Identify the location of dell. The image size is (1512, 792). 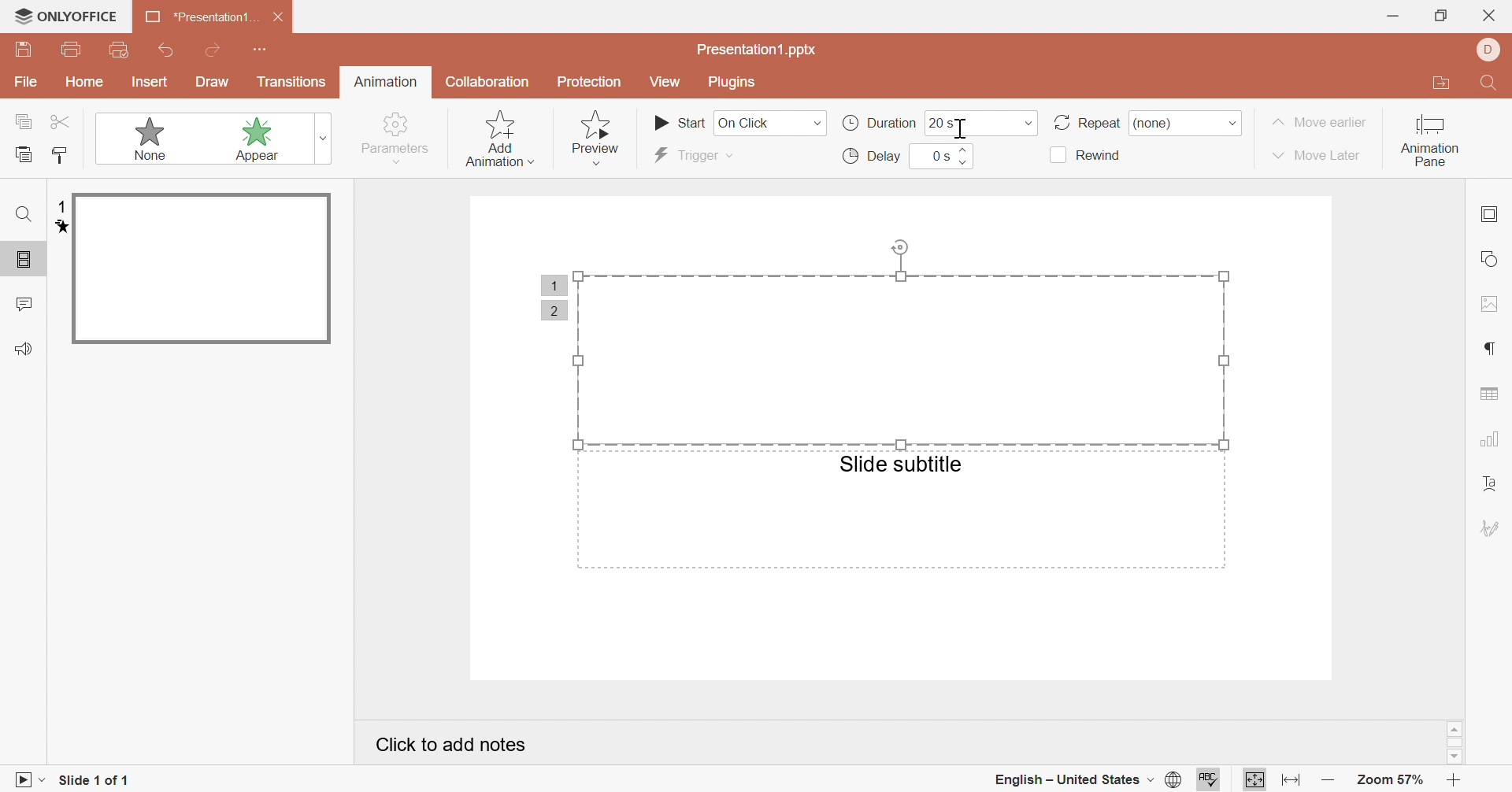
(1490, 49).